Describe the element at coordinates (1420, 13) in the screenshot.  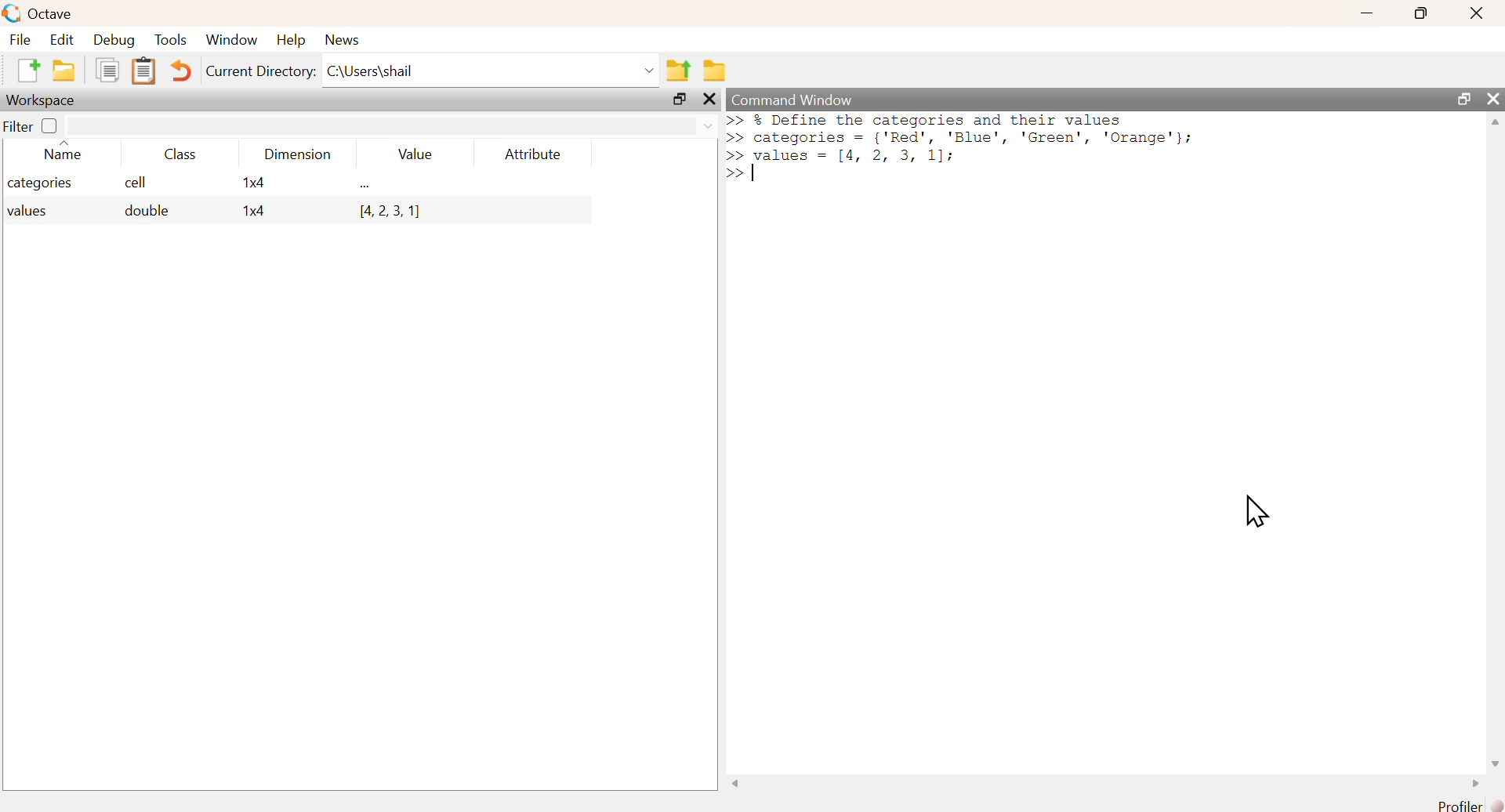
I see `maximize` at that location.